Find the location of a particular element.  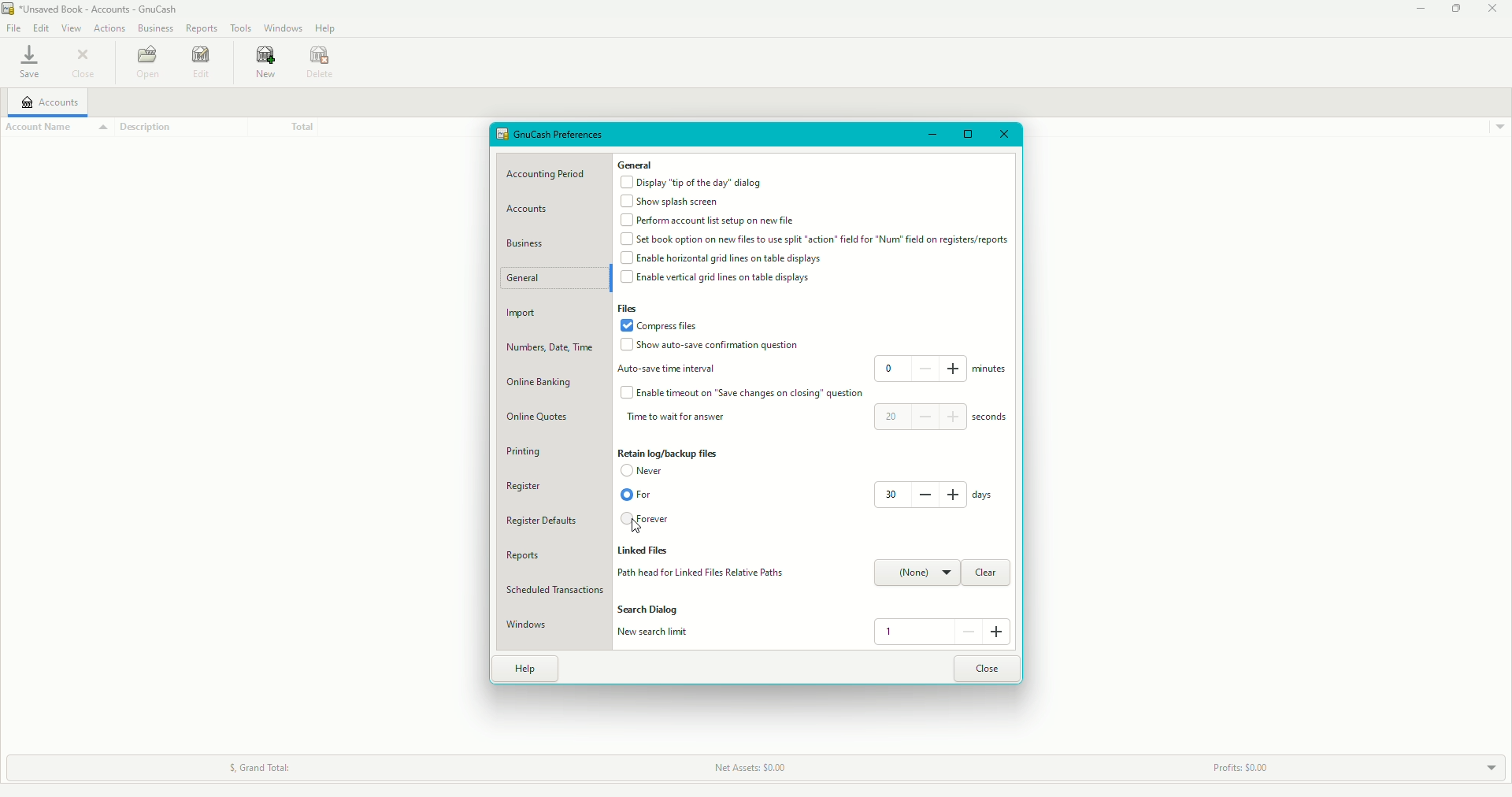

Path head is located at coordinates (699, 573).